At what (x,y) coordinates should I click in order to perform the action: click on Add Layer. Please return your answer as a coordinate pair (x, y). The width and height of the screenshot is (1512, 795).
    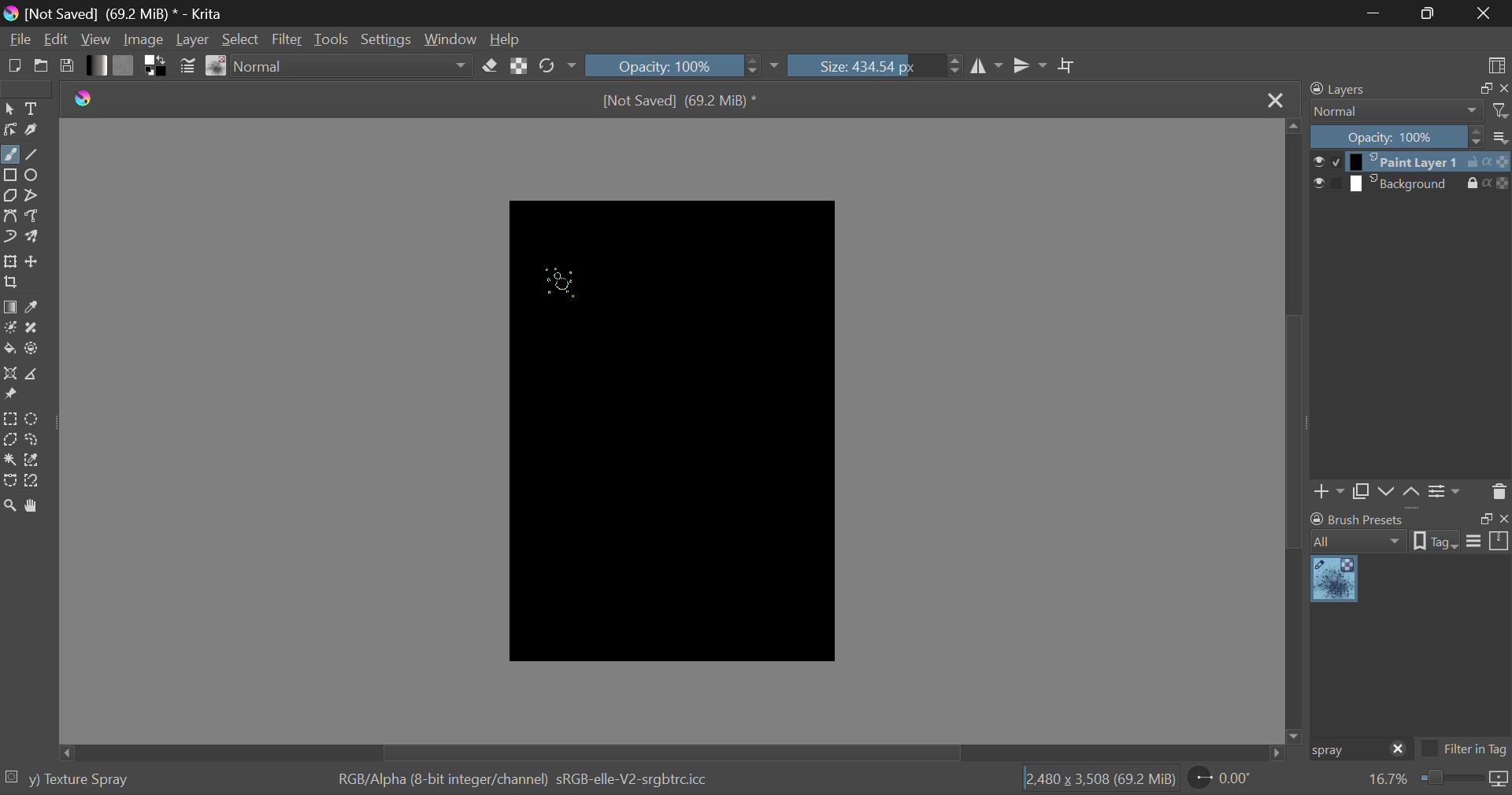
    Looking at the image, I should click on (1329, 494).